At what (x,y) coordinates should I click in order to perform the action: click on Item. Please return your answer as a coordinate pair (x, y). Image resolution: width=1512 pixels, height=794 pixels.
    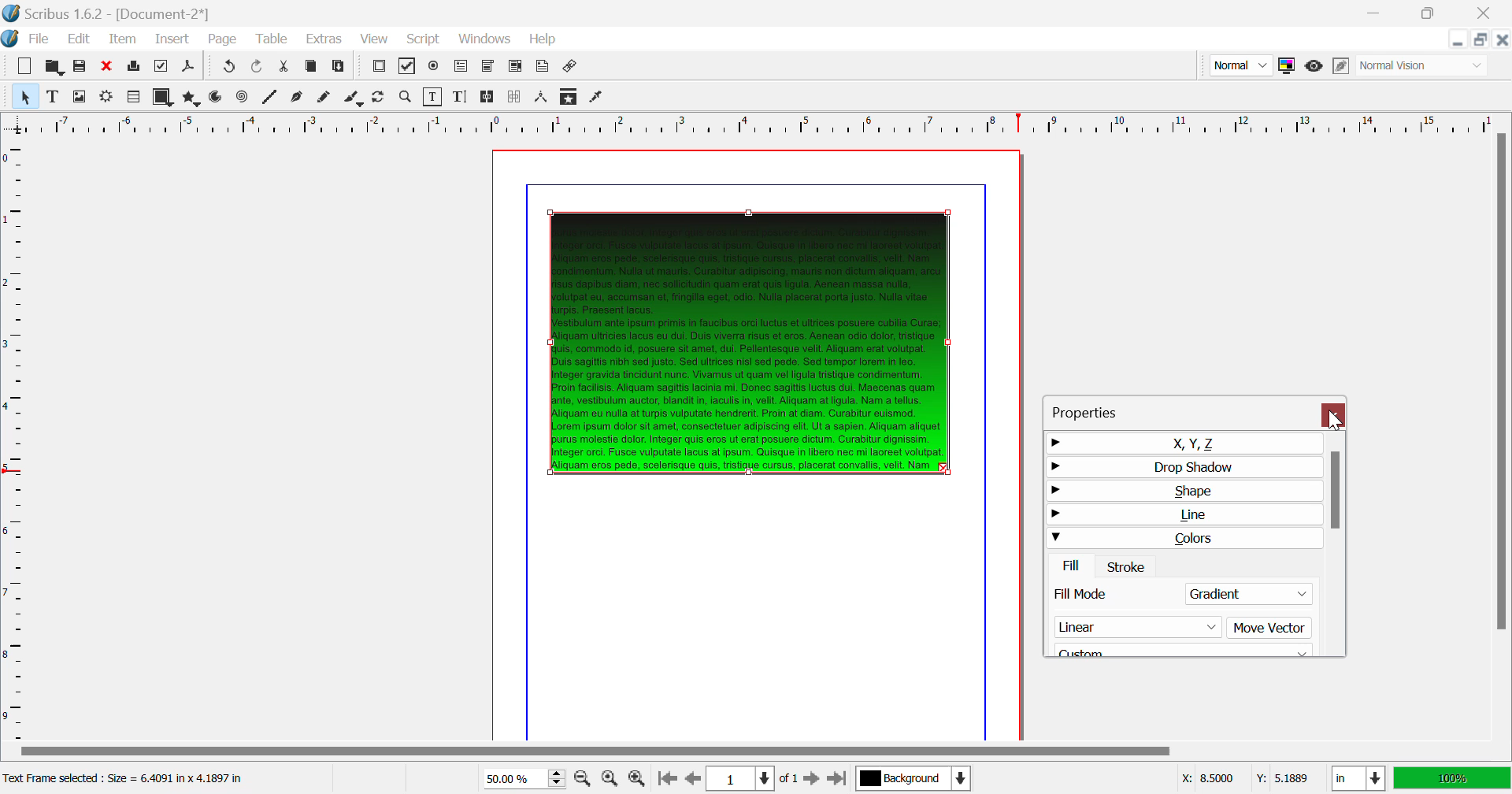
    Looking at the image, I should click on (124, 39).